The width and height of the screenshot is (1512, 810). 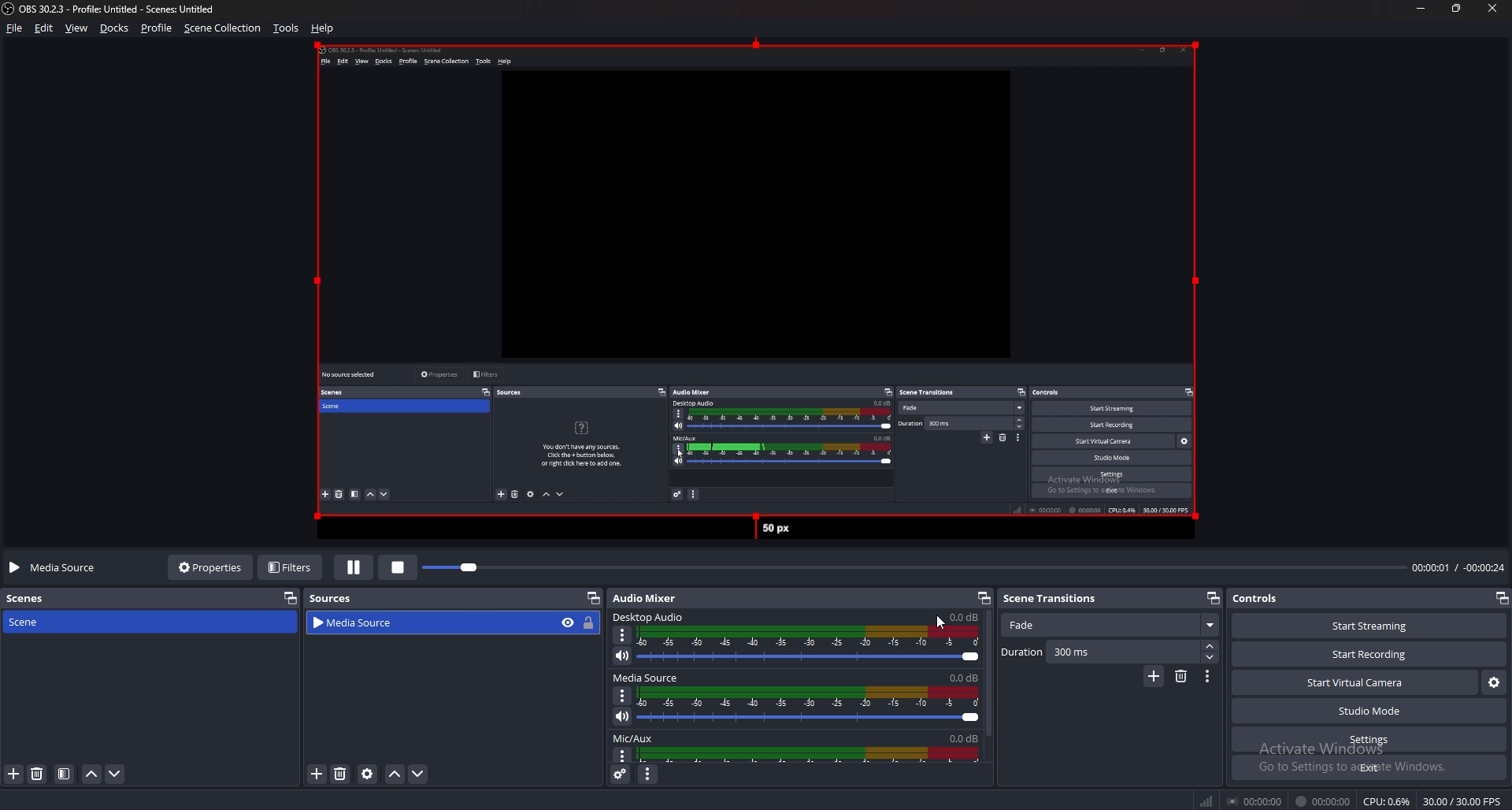 What do you see at coordinates (647, 618) in the screenshot?
I see `desktop audio` at bounding box center [647, 618].